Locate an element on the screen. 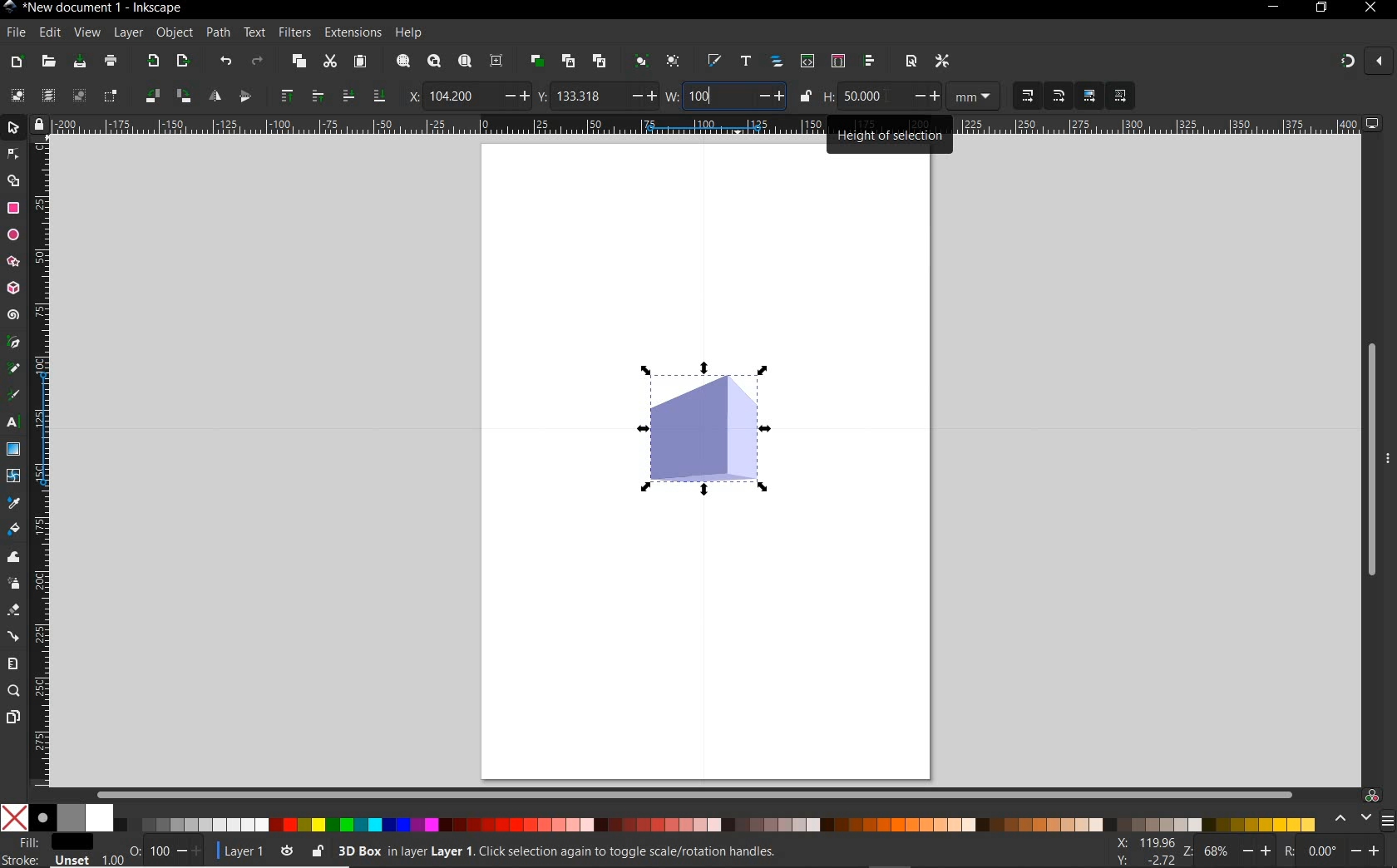 Image resolution: width=1397 pixels, height=868 pixels. object flip is located at coordinates (213, 97).